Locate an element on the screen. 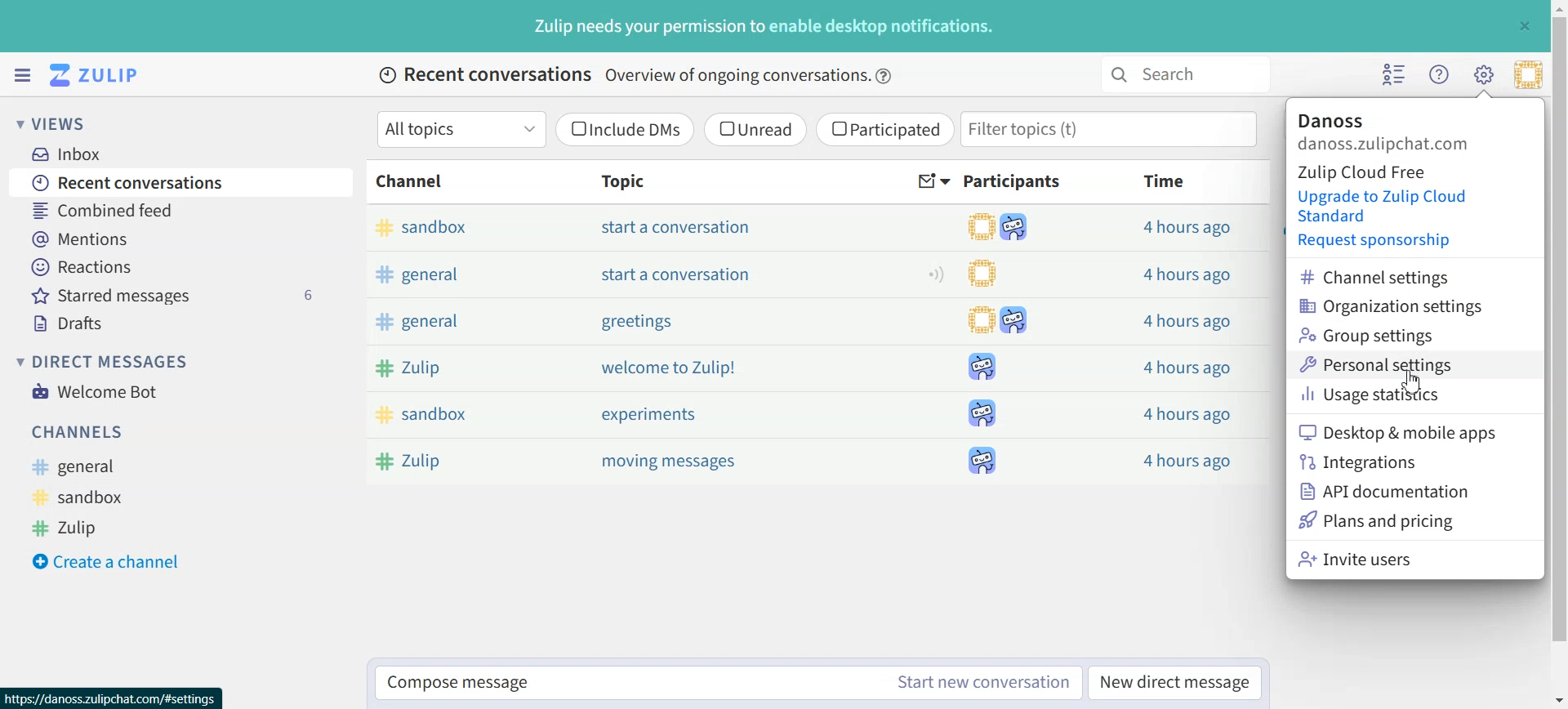  Help Menu is located at coordinates (1437, 74).